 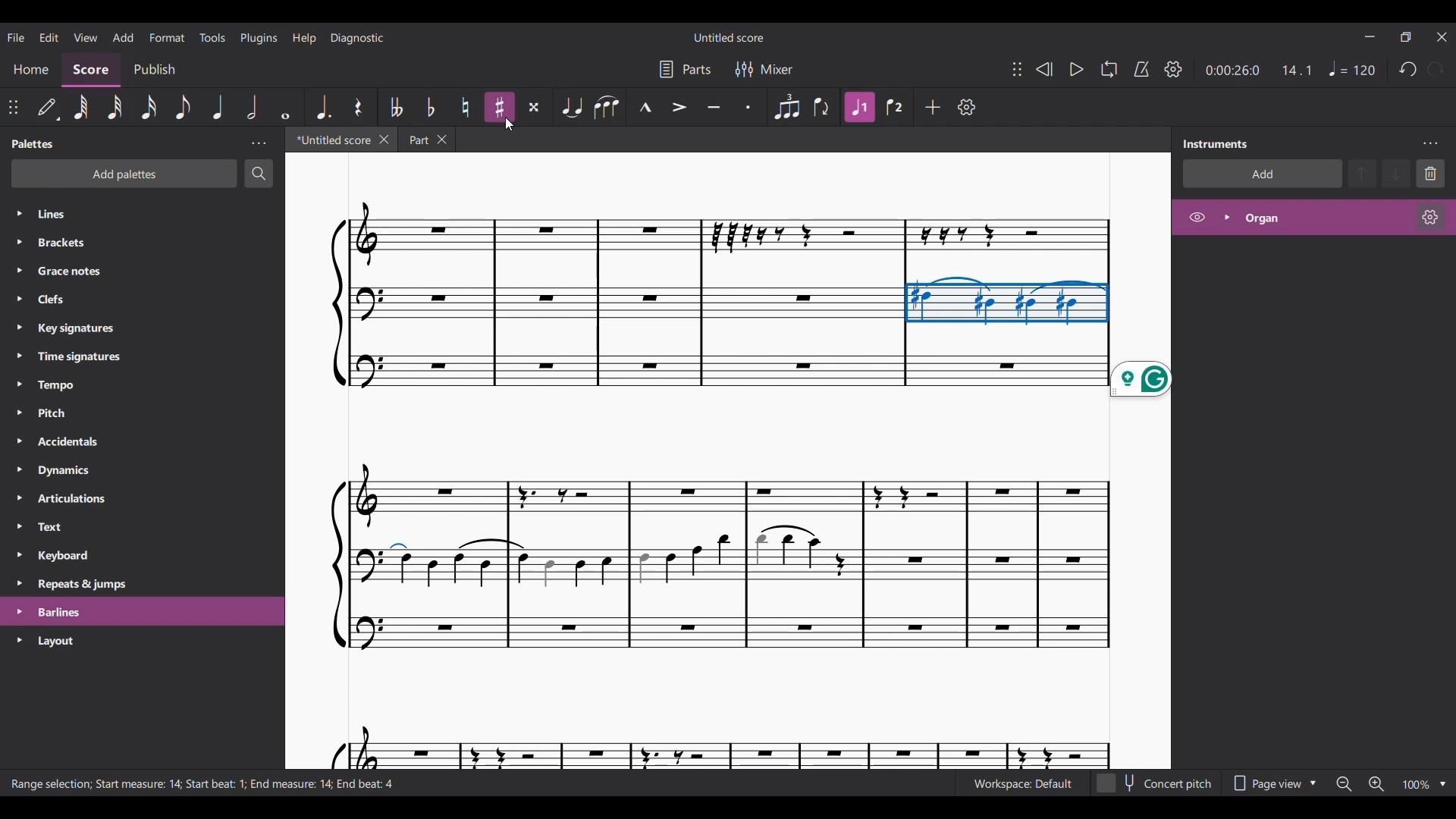 What do you see at coordinates (14, 108) in the screenshot?
I see `Change position of attached toolbar` at bounding box center [14, 108].